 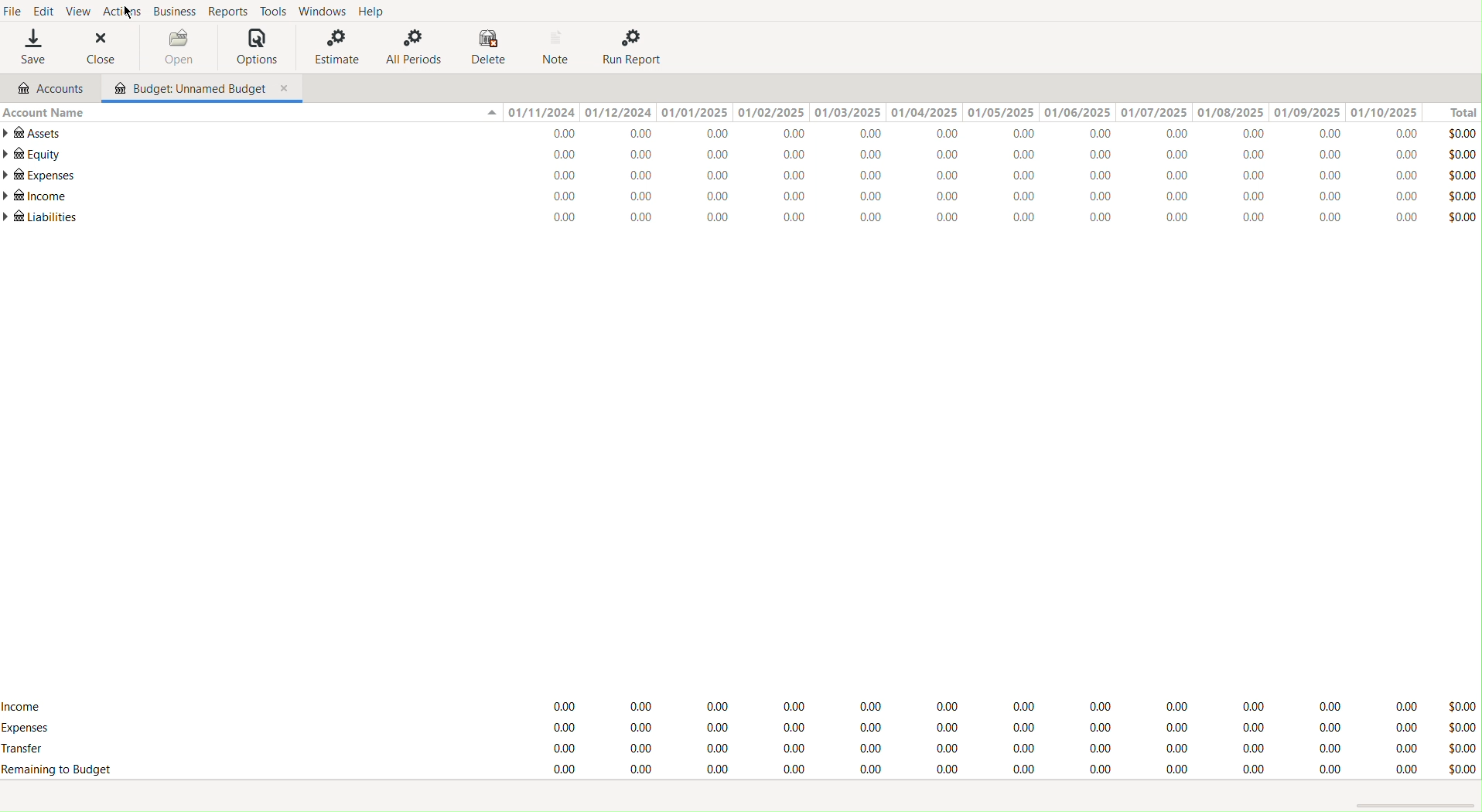 What do you see at coordinates (983, 135) in the screenshot?
I see `Assets Values` at bounding box center [983, 135].